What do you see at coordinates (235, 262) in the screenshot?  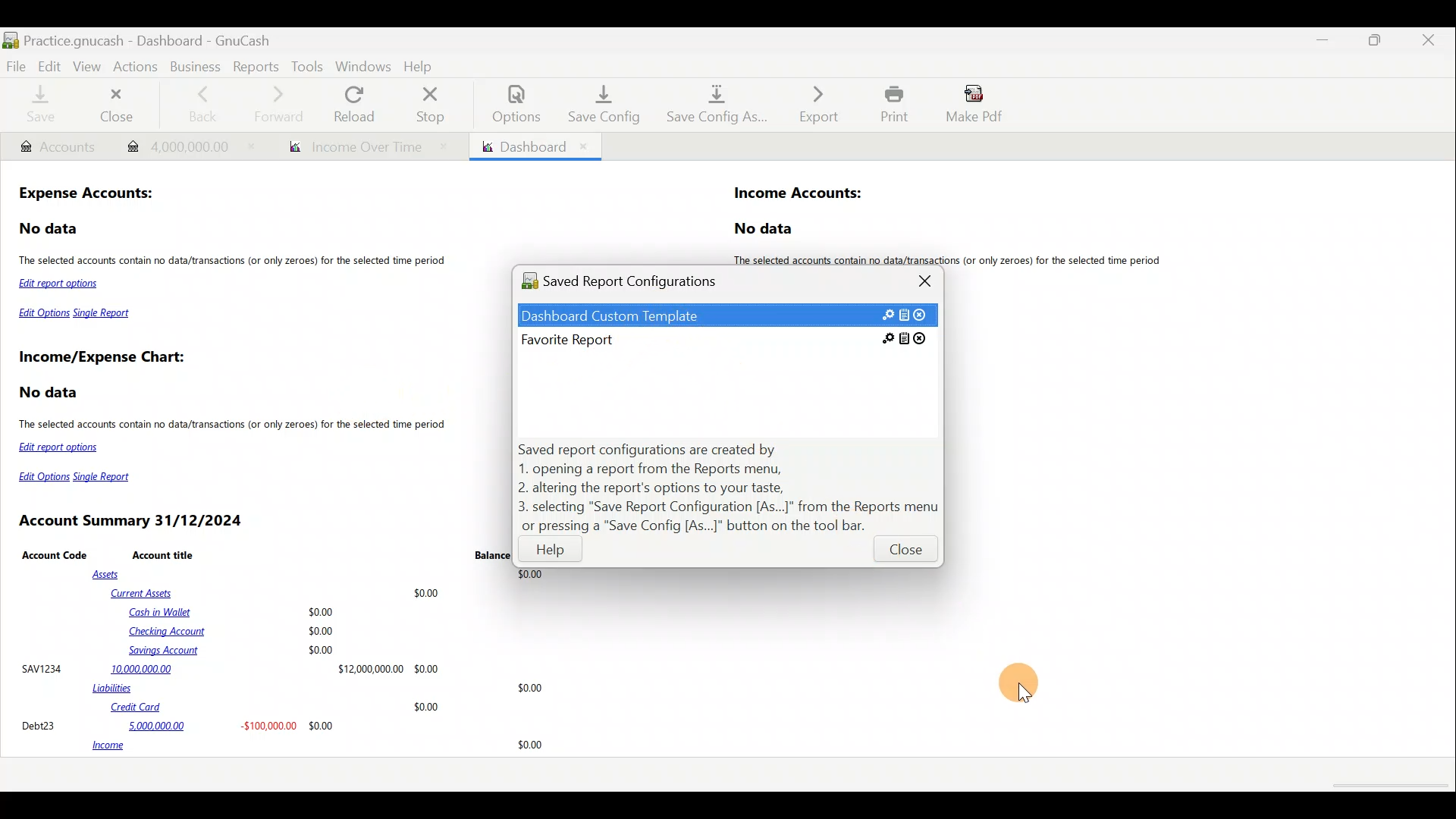 I see `The selected accounts contain no data/transactions (or only zeroes) for the selected time period` at bounding box center [235, 262].